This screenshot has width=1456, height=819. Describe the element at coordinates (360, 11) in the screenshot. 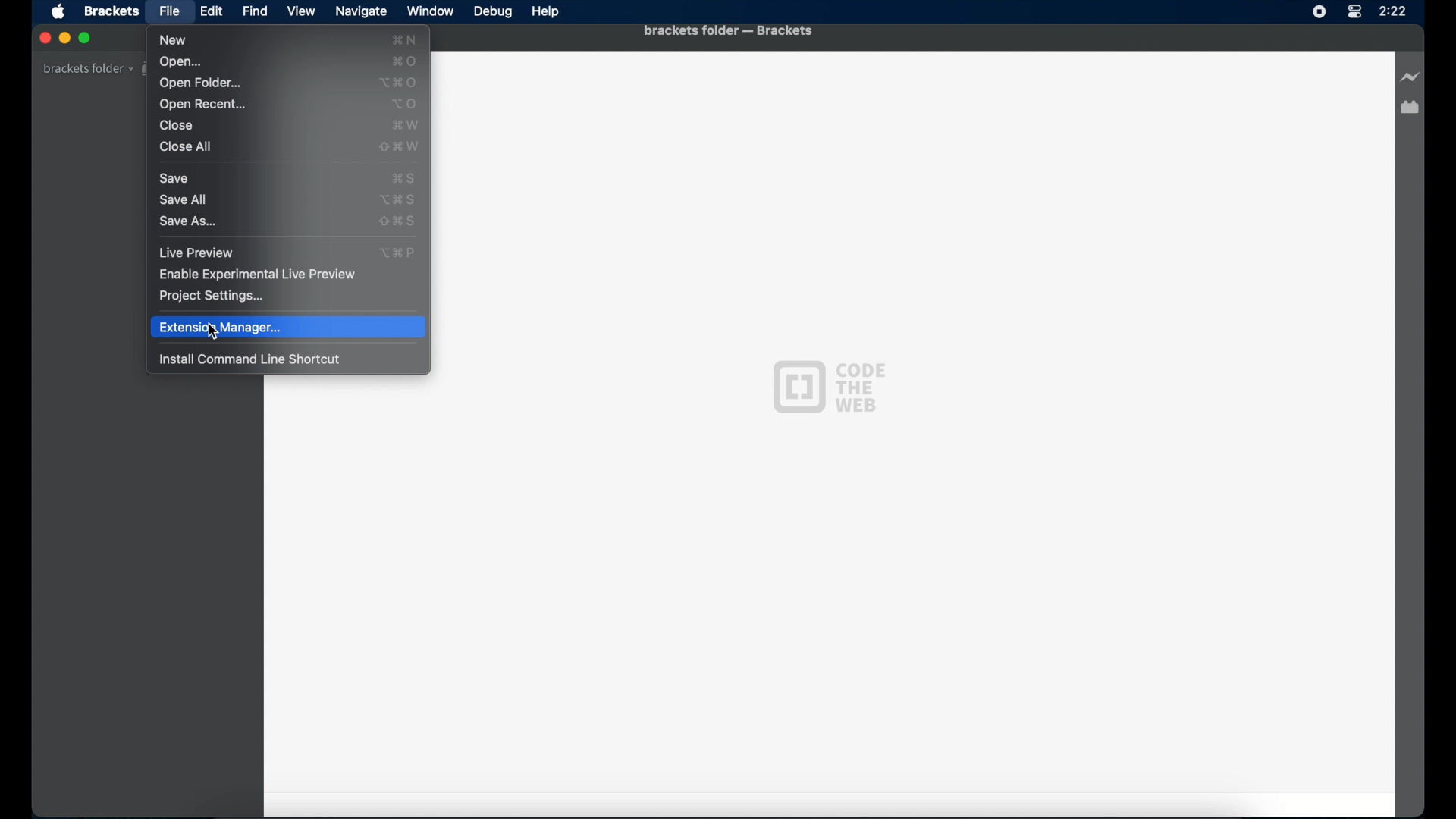

I see `navigate` at that location.